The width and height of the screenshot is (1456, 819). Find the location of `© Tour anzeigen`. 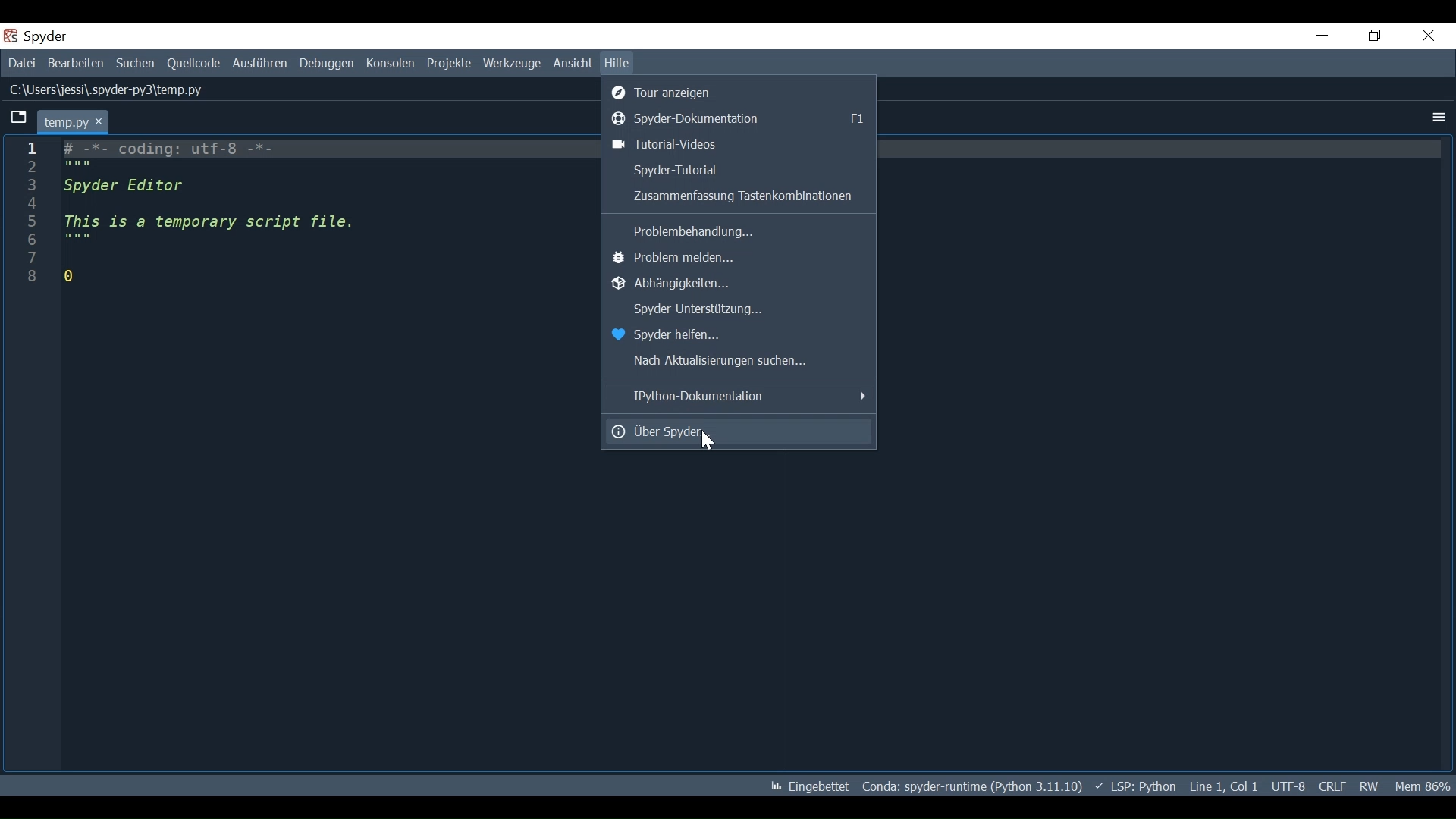

© Tour anzeigen is located at coordinates (670, 93).